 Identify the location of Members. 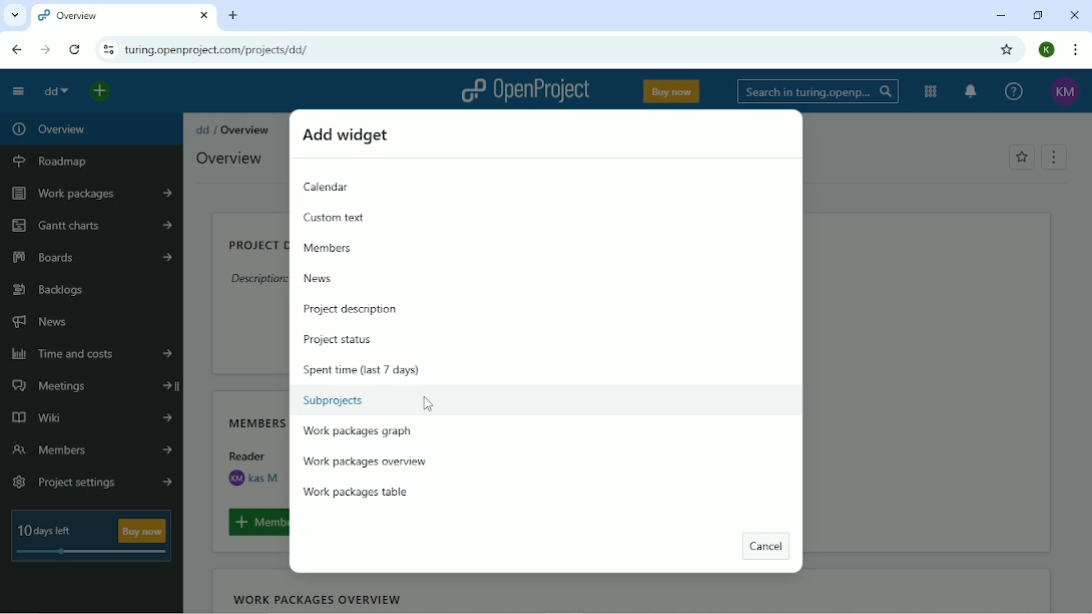
(93, 451).